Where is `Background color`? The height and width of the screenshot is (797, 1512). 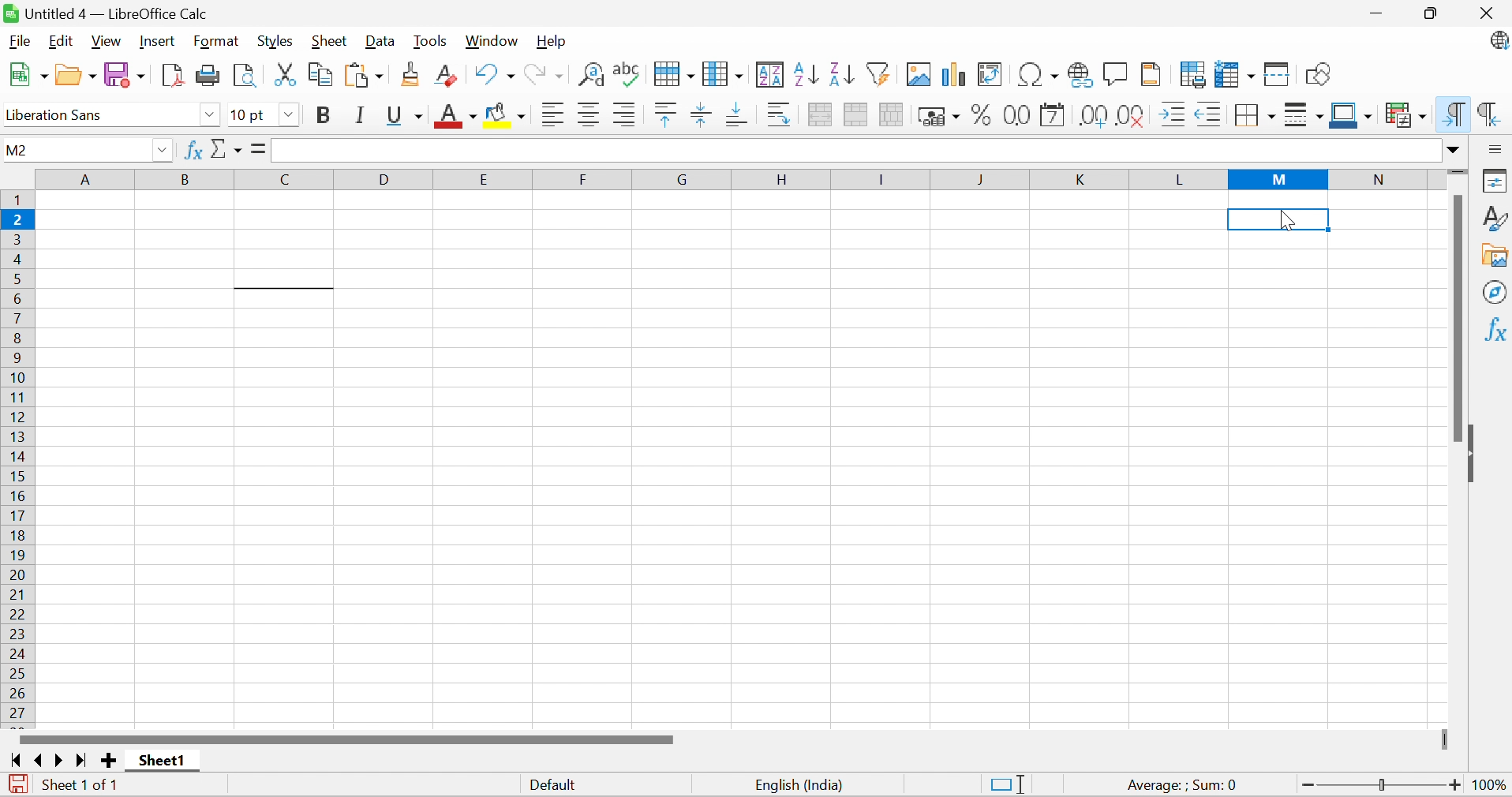 Background color is located at coordinates (507, 116).